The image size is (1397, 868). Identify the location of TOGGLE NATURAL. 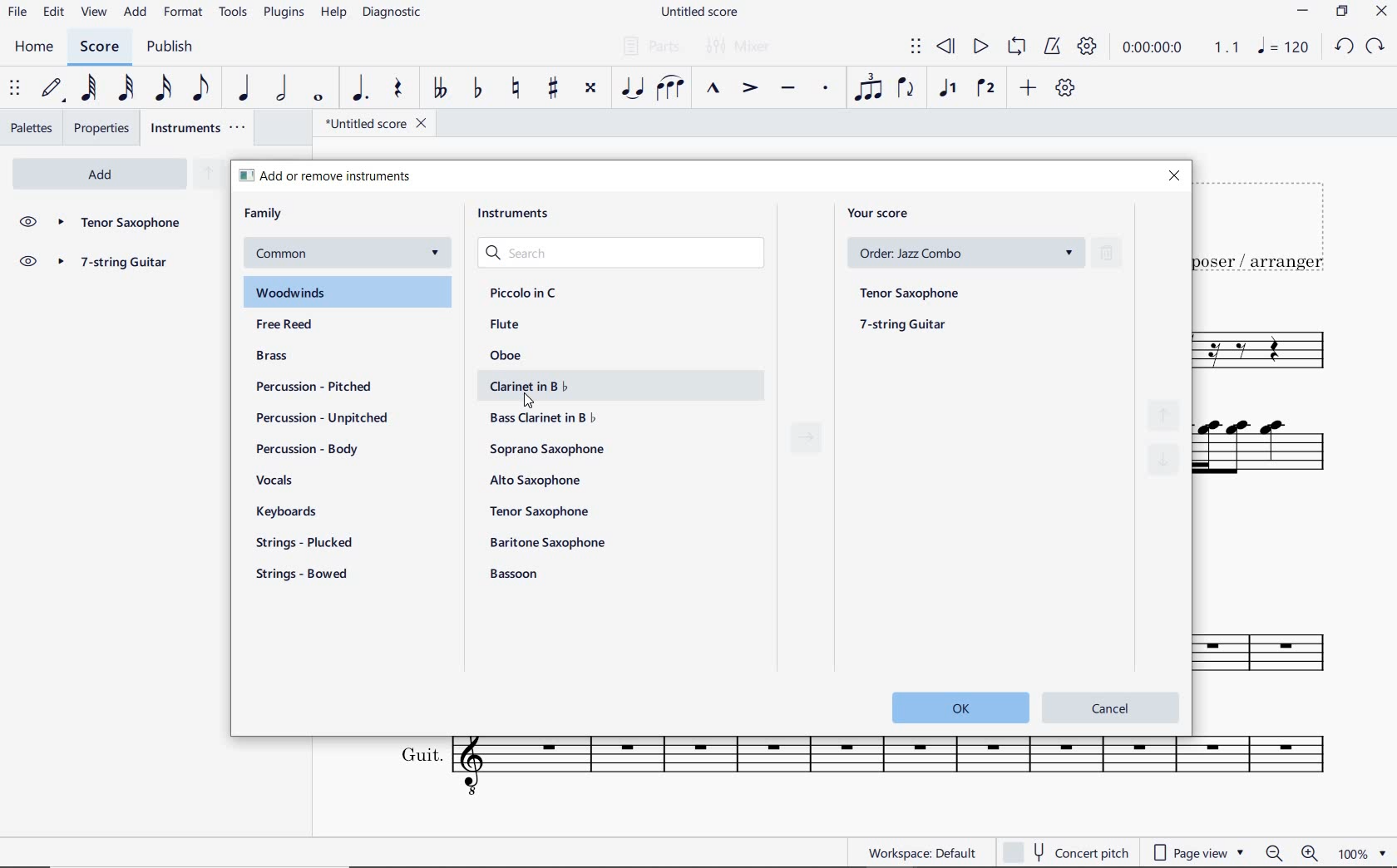
(517, 89).